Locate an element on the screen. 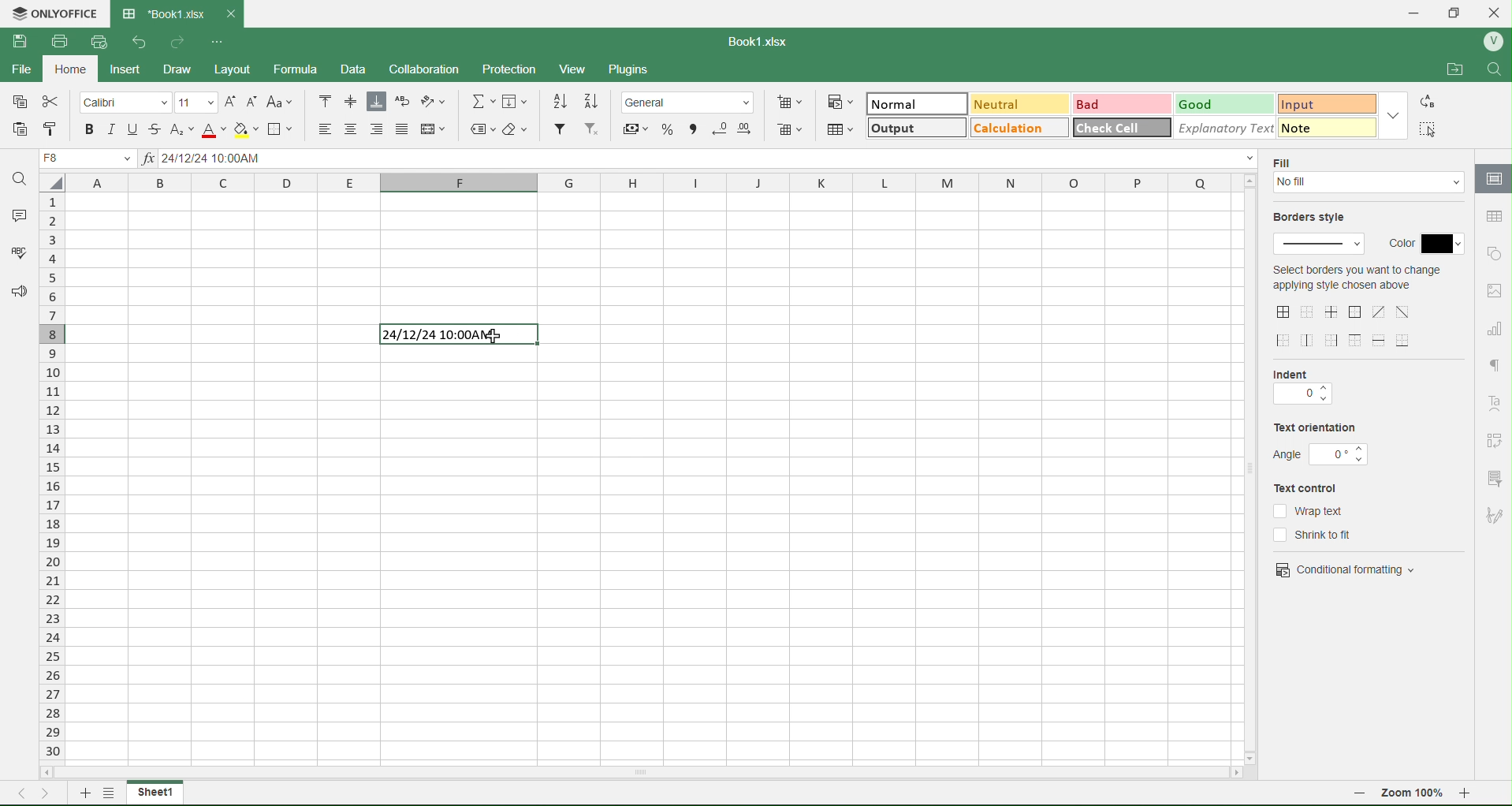 Image resolution: width=1512 pixels, height=806 pixels. right border is located at coordinates (1333, 340).